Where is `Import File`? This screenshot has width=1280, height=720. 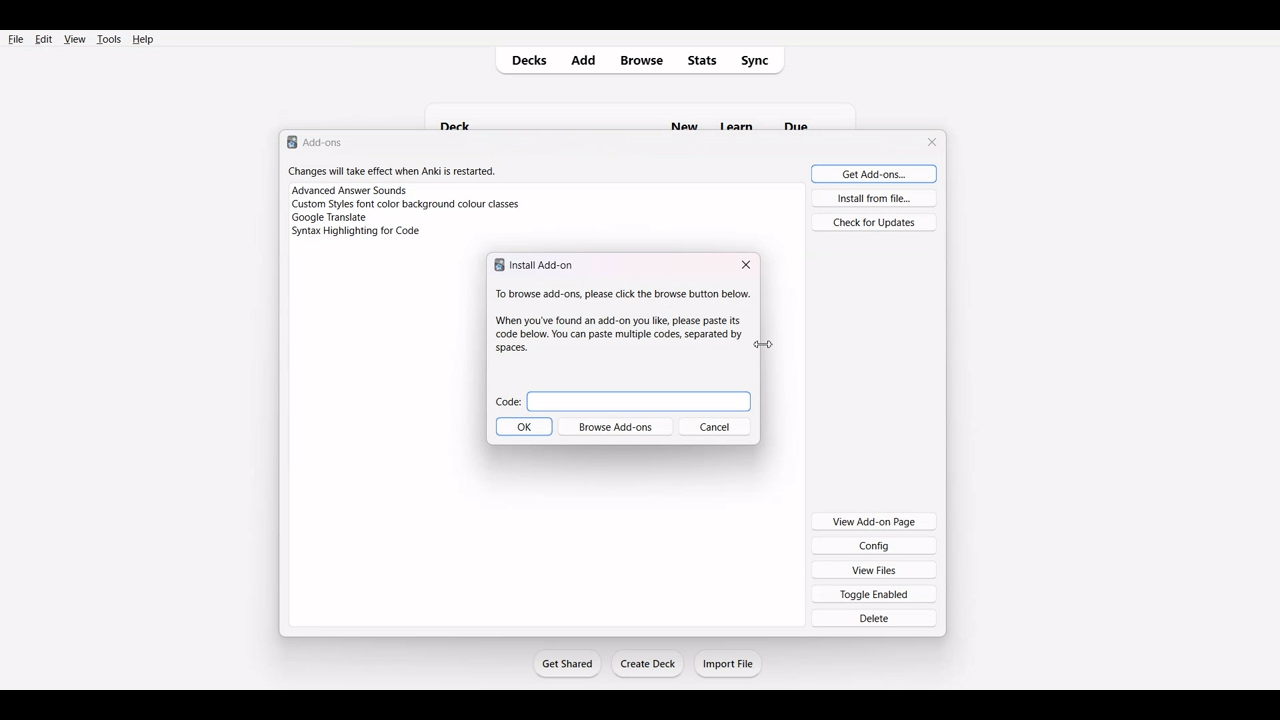
Import File is located at coordinates (729, 663).